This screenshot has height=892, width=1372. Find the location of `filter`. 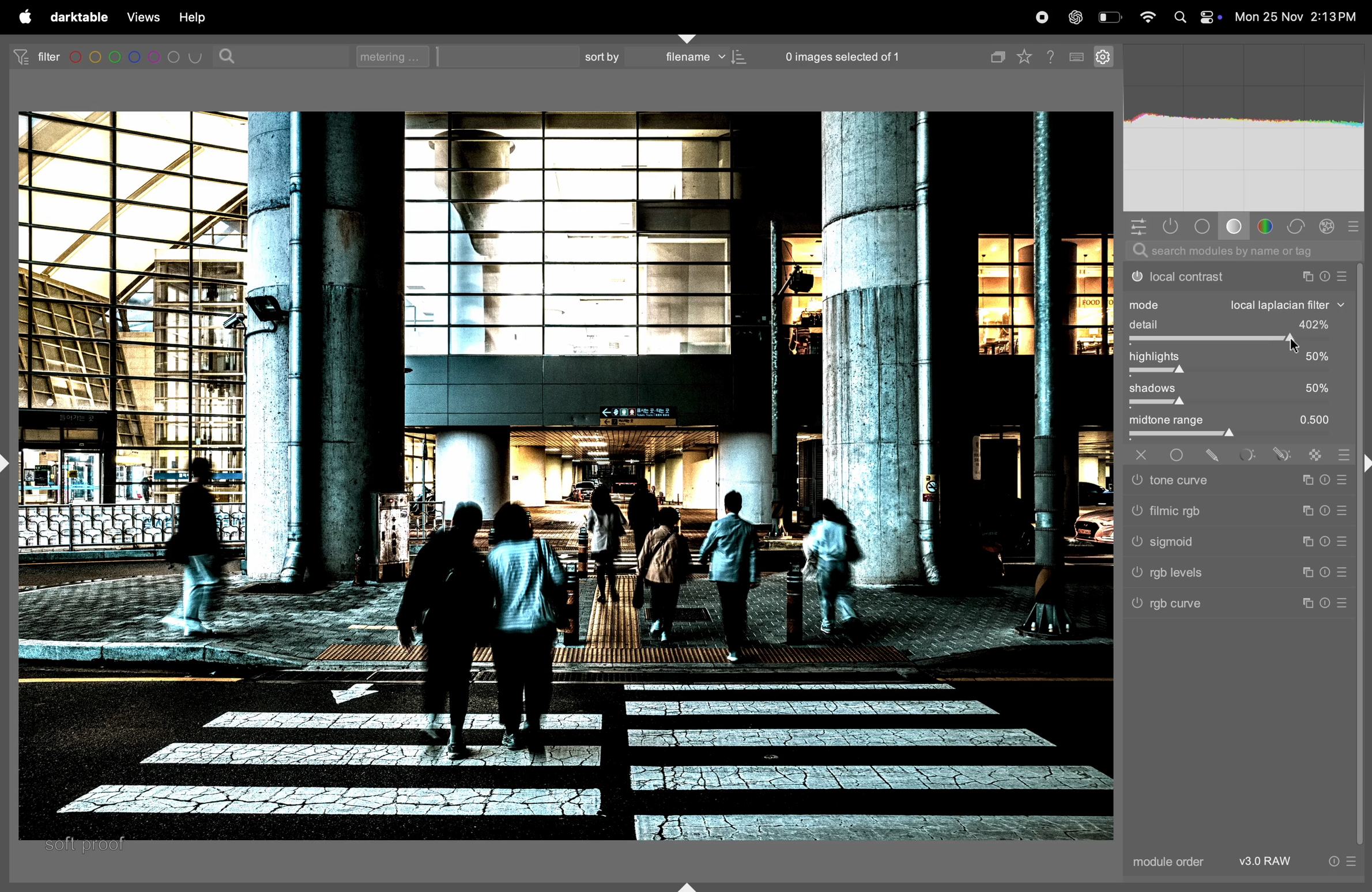

filter is located at coordinates (32, 56).